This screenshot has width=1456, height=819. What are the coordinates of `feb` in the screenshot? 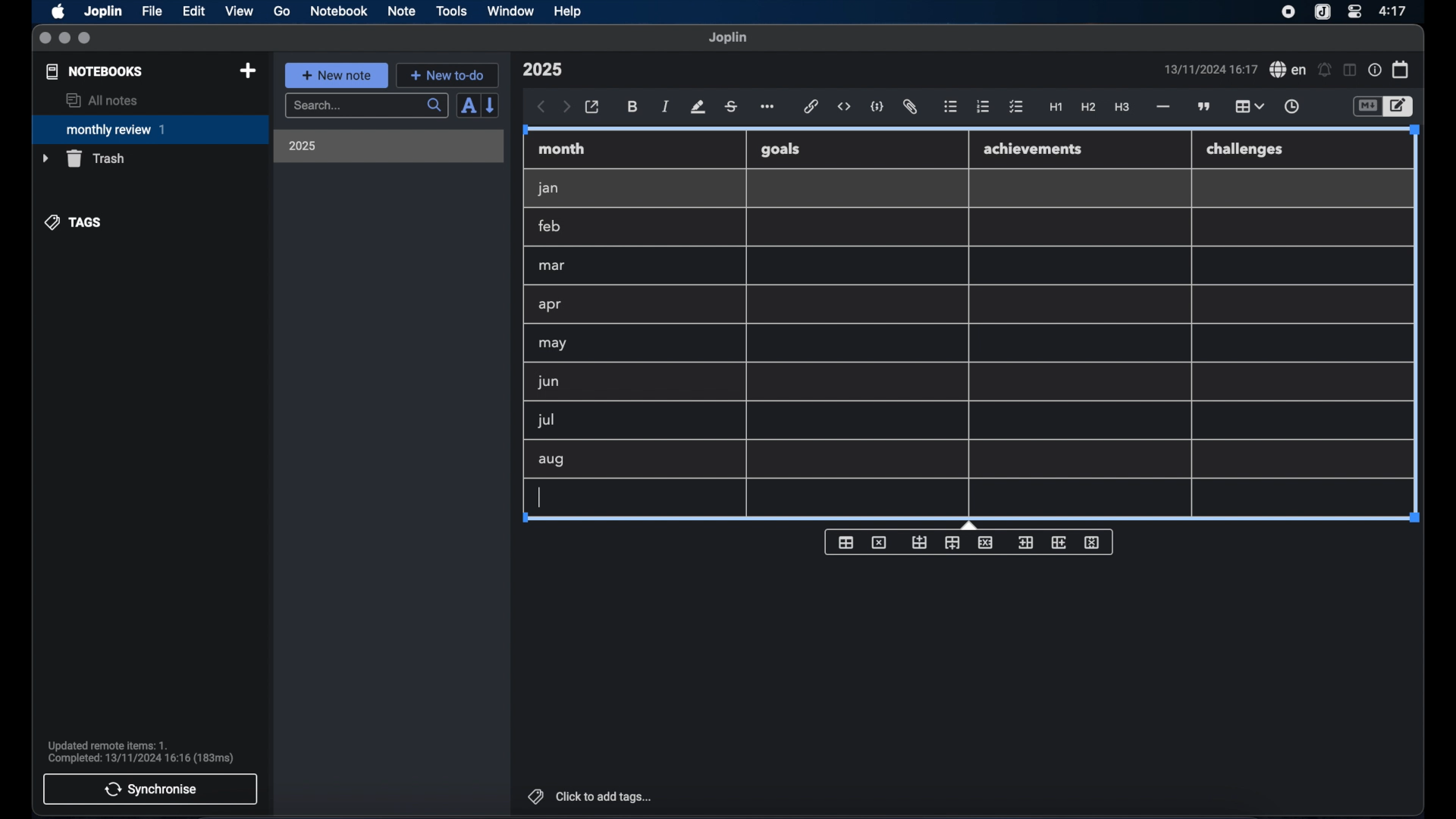 It's located at (551, 226).